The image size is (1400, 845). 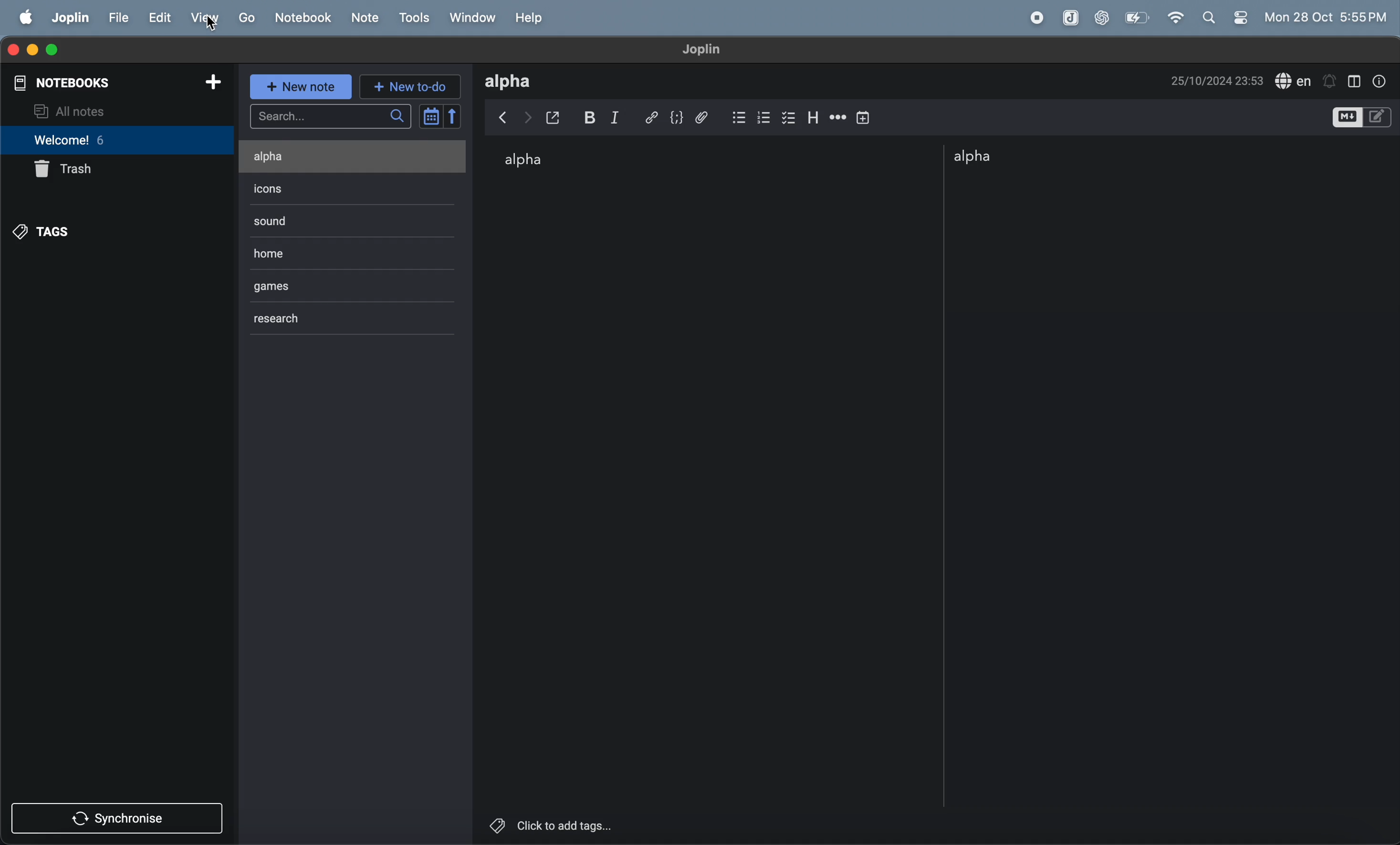 I want to click on edit, so click(x=161, y=18).